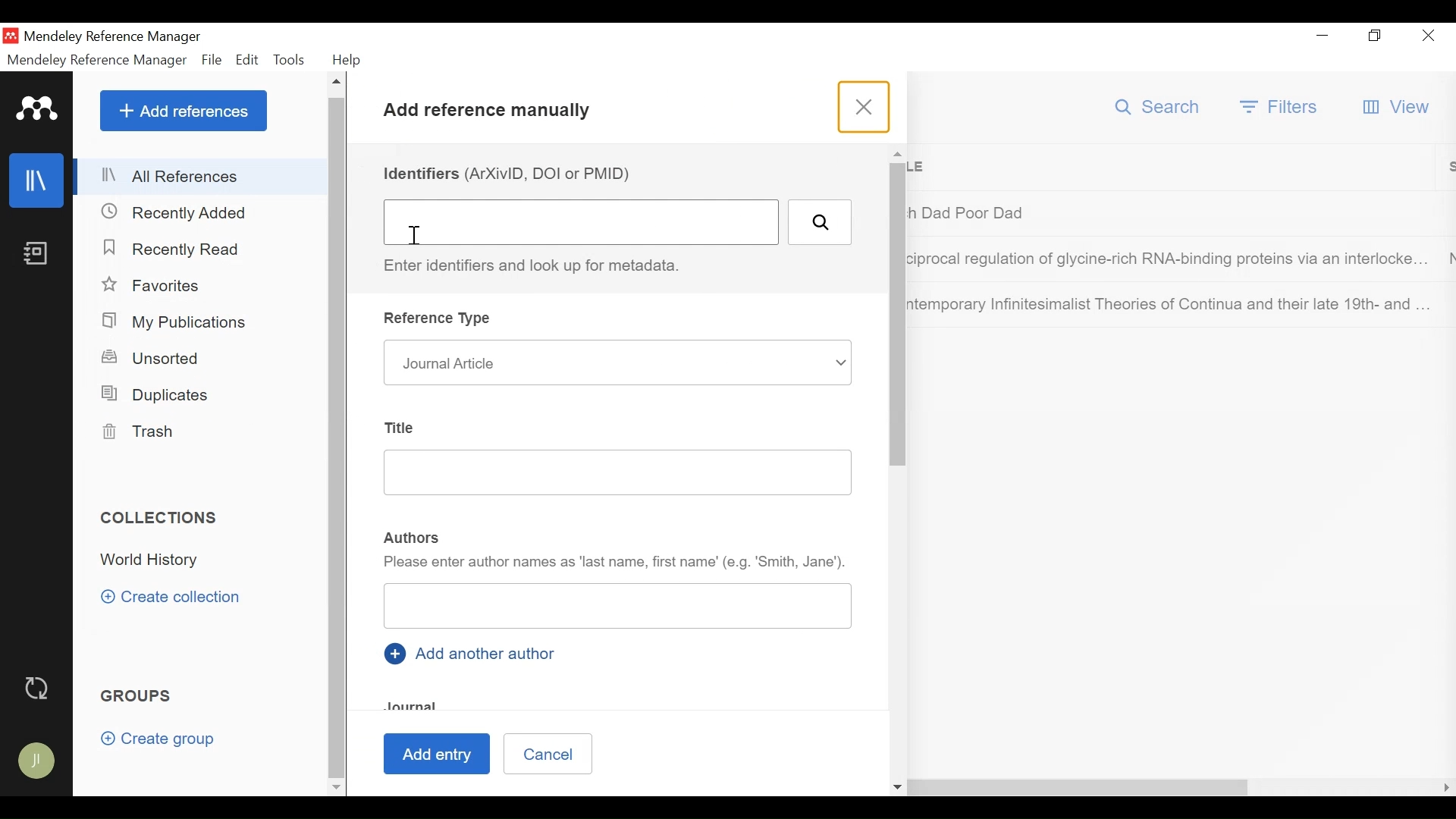  What do you see at coordinates (39, 253) in the screenshot?
I see `Notees` at bounding box center [39, 253].